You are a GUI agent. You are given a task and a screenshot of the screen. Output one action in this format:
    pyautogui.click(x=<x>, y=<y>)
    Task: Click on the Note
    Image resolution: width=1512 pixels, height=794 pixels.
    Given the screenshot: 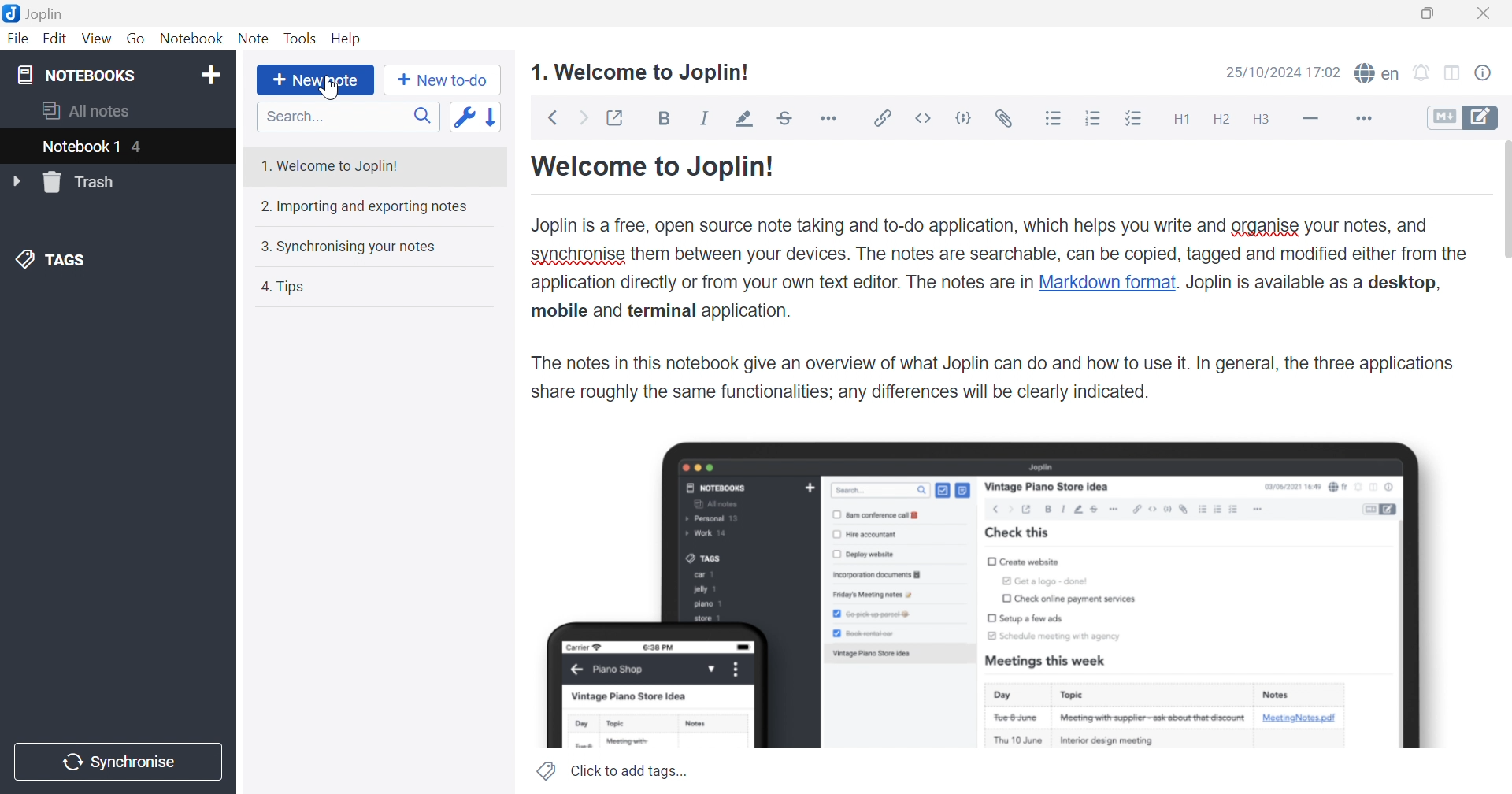 What is the action you would take?
    pyautogui.click(x=254, y=39)
    